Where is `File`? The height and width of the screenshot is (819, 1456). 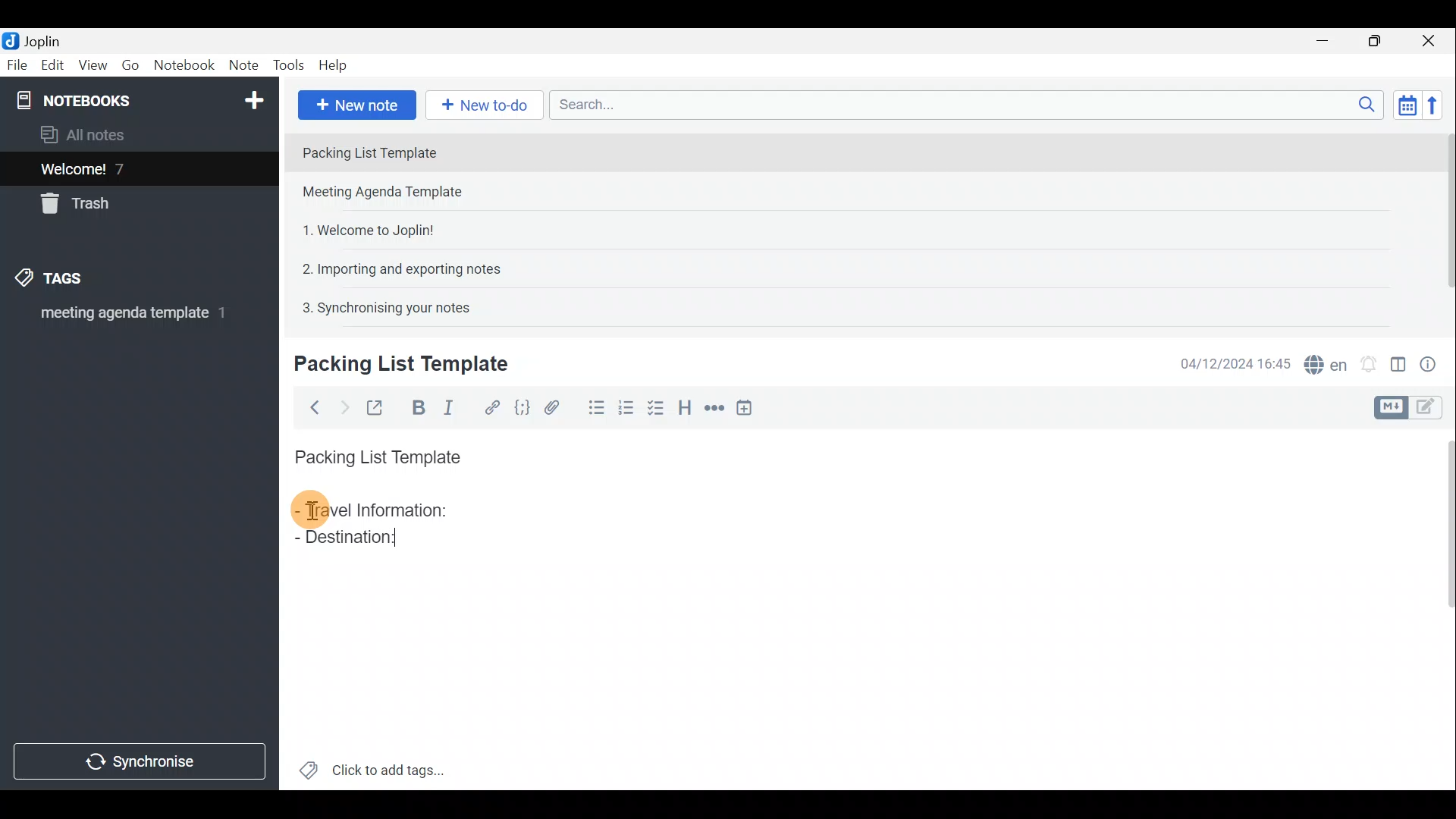 File is located at coordinates (15, 64).